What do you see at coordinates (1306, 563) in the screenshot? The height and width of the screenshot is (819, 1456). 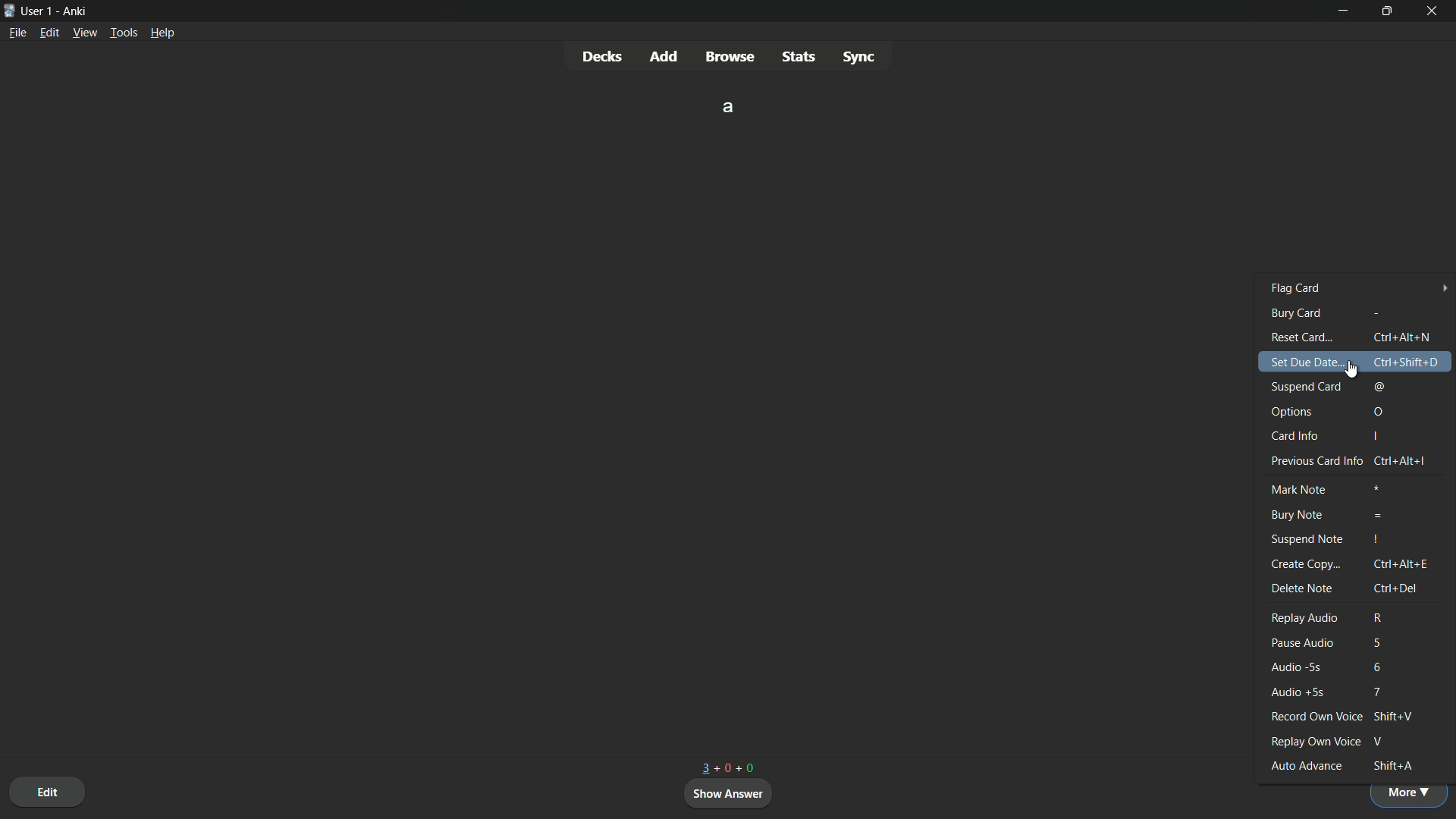 I see `create copy` at bounding box center [1306, 563].